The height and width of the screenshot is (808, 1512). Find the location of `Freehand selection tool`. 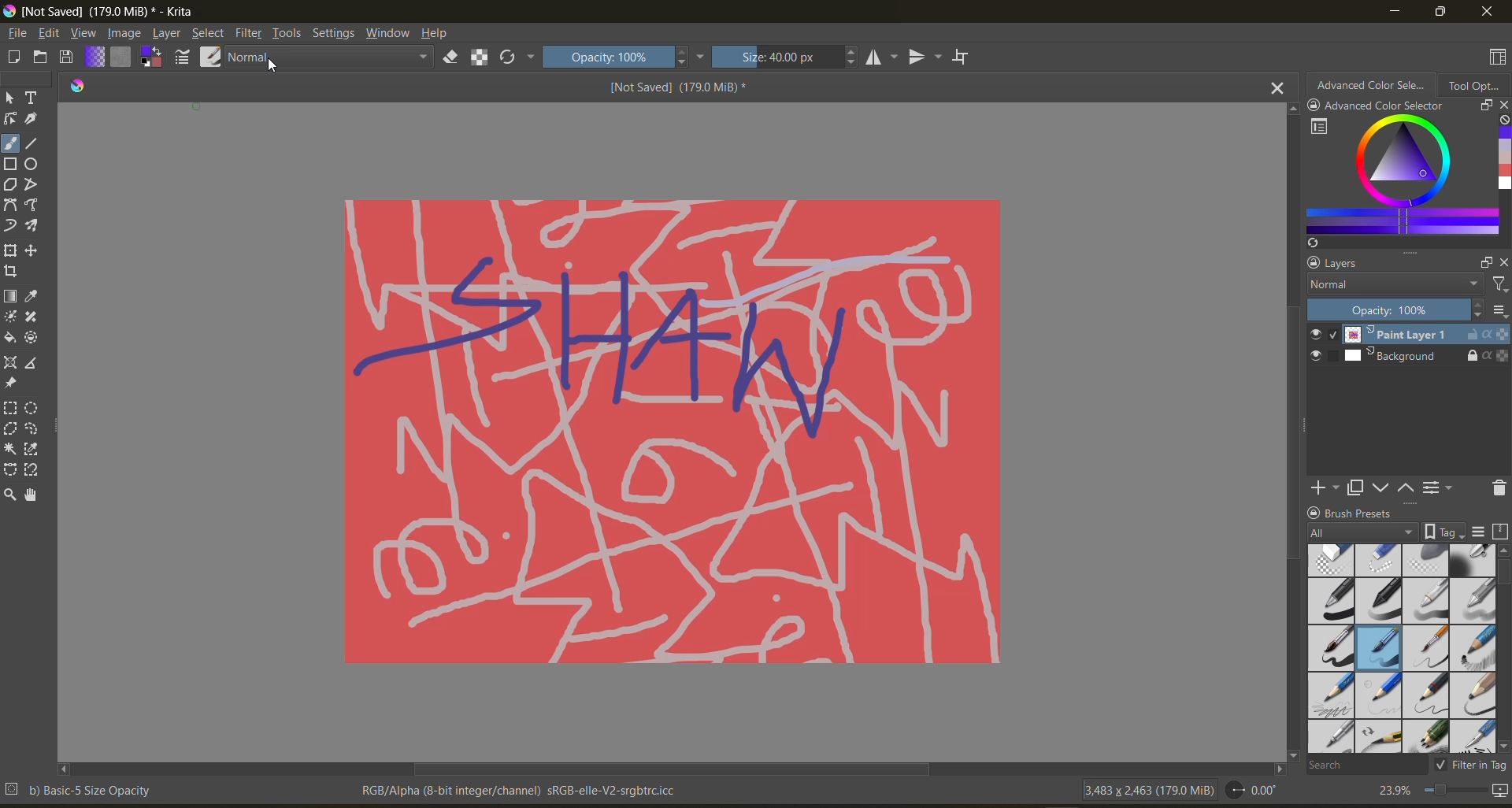

Freehand selection tool is located at coordinates (36, 428).